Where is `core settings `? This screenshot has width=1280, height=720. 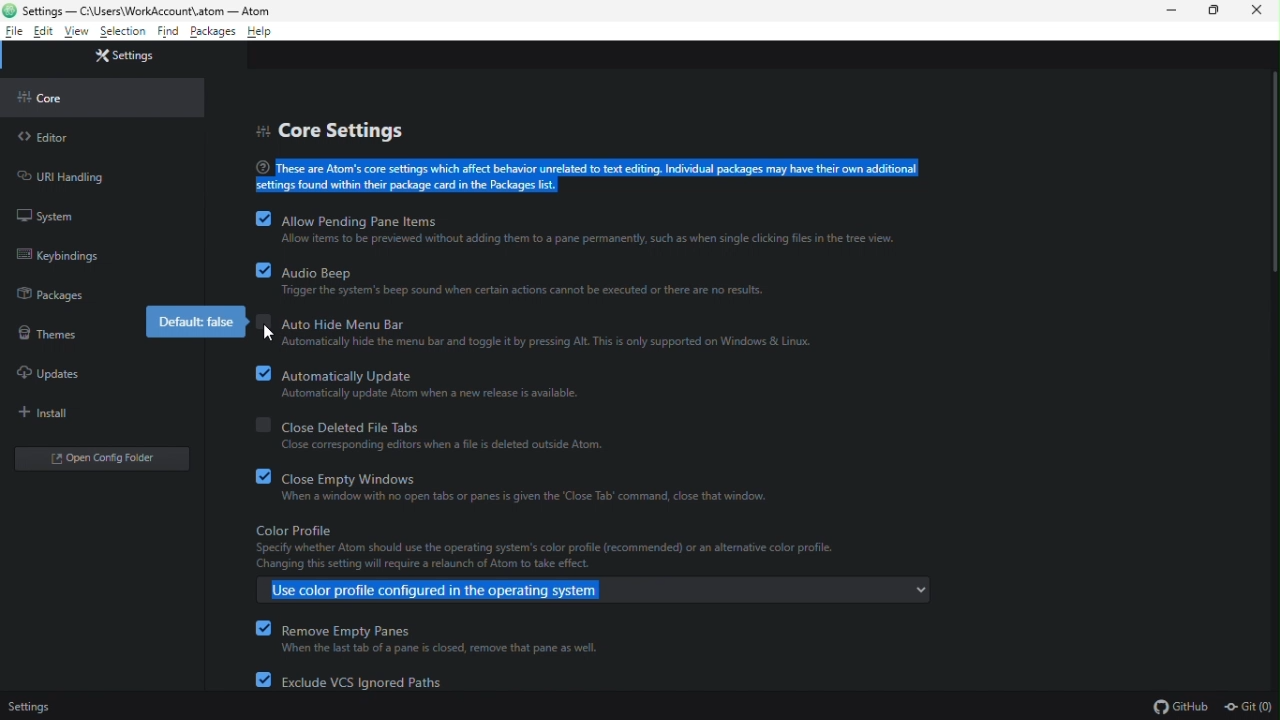 core settings  is located at coordinates (336, 131).